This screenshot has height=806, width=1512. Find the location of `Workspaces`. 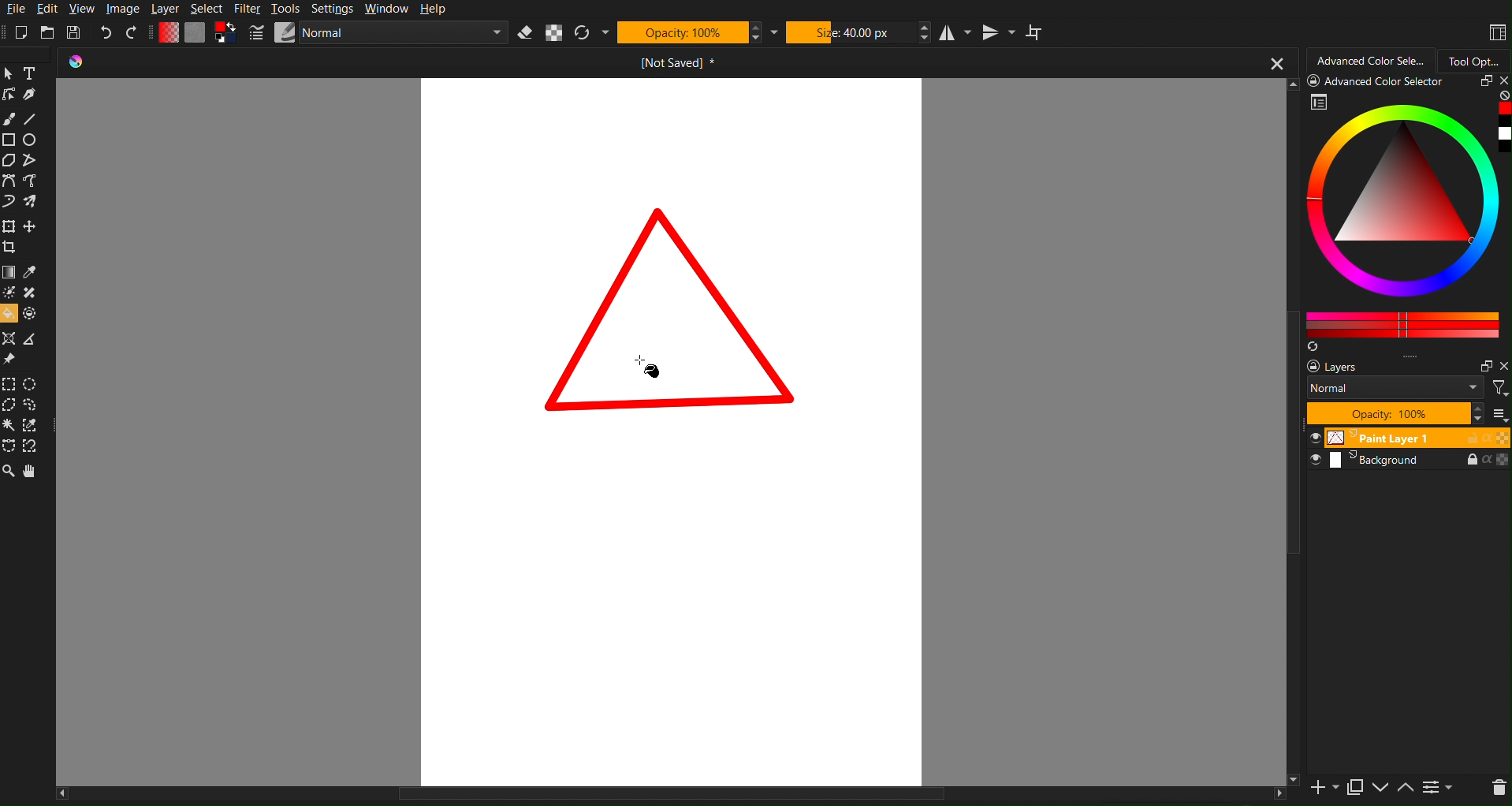

Workspaces is located at coordinates (1496, 32).